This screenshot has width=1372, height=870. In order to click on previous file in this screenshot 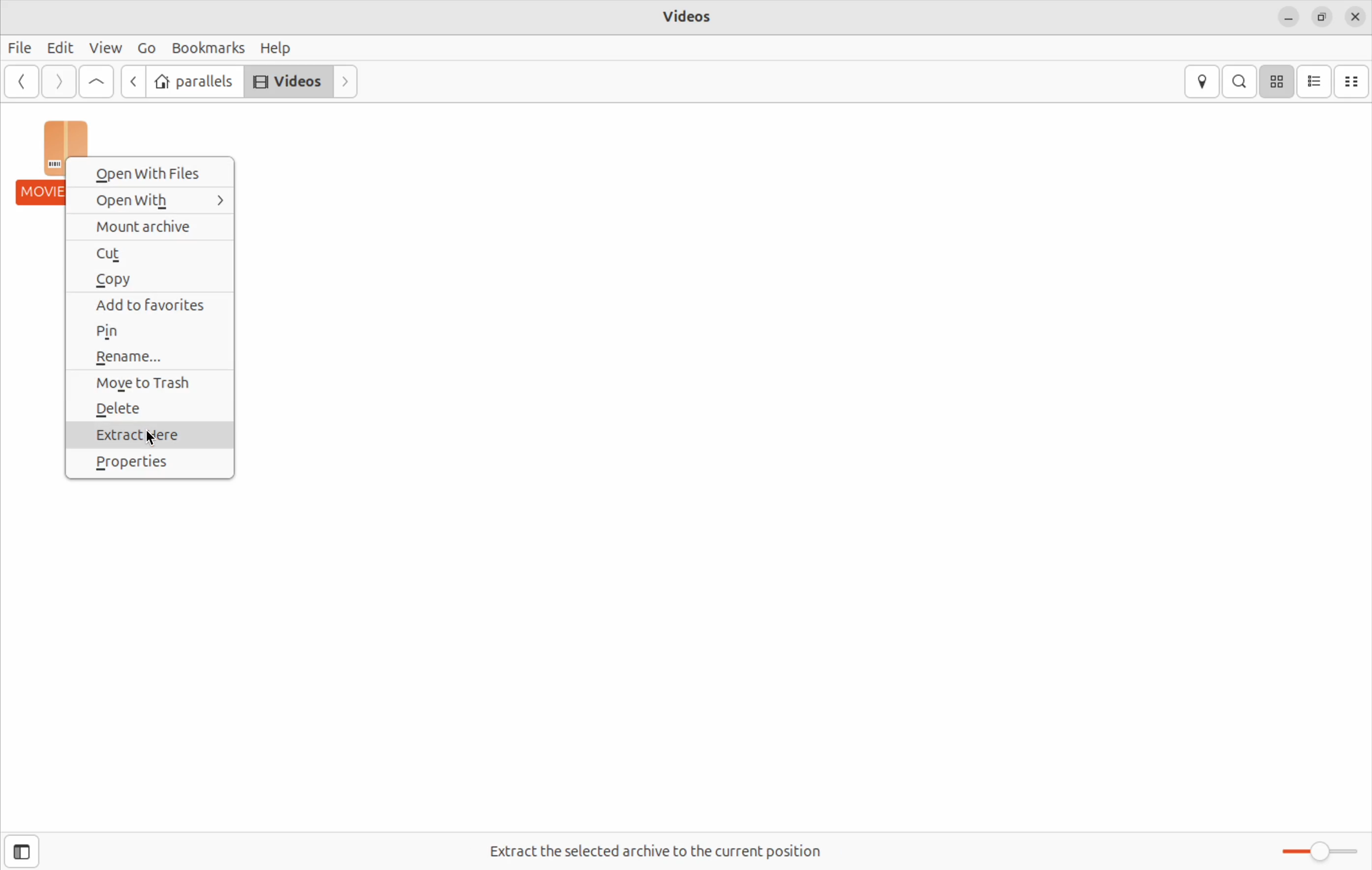, I will do `click(132, 83)`.